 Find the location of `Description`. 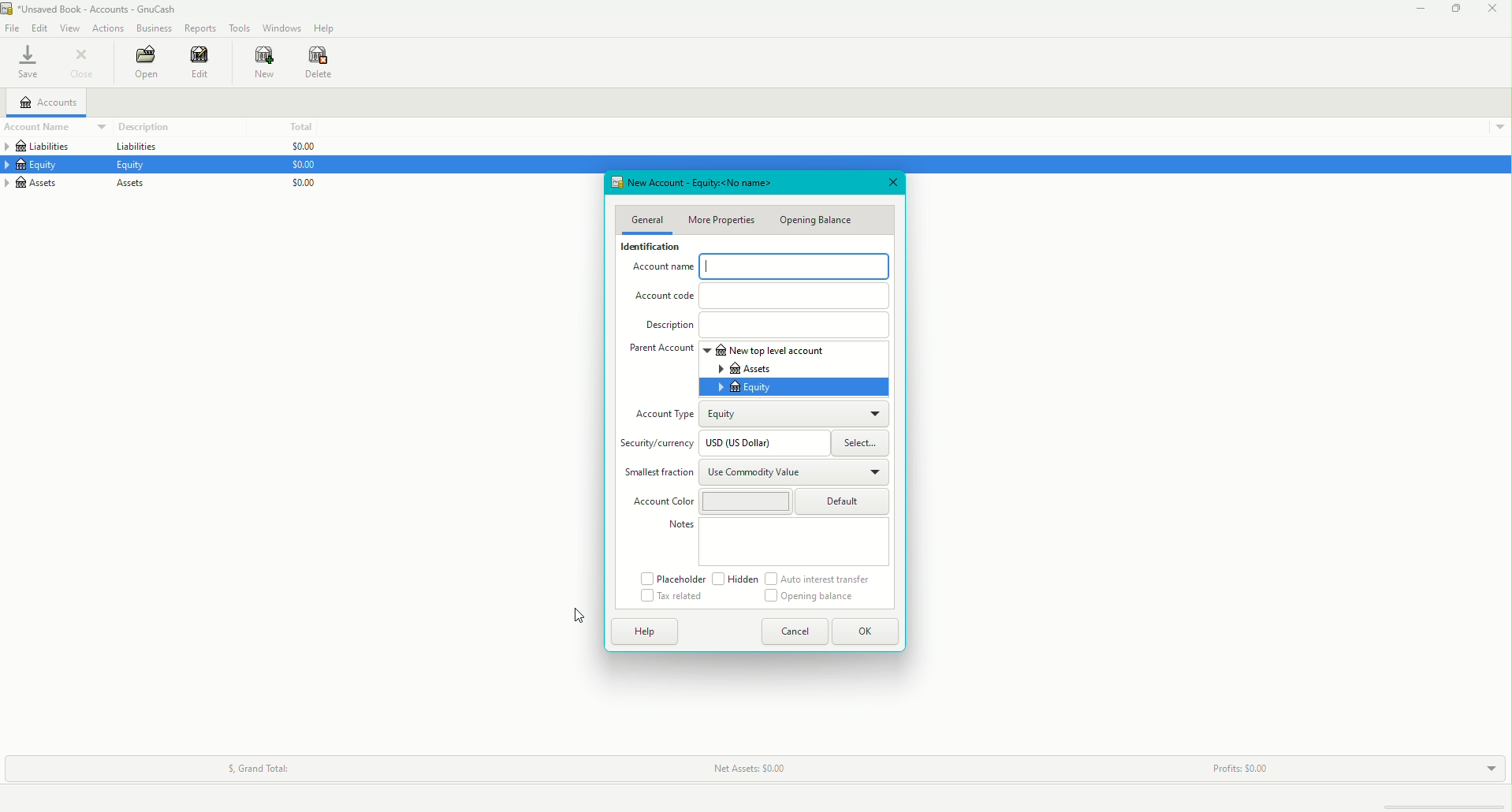

Description is located at coordinates (142, 126).